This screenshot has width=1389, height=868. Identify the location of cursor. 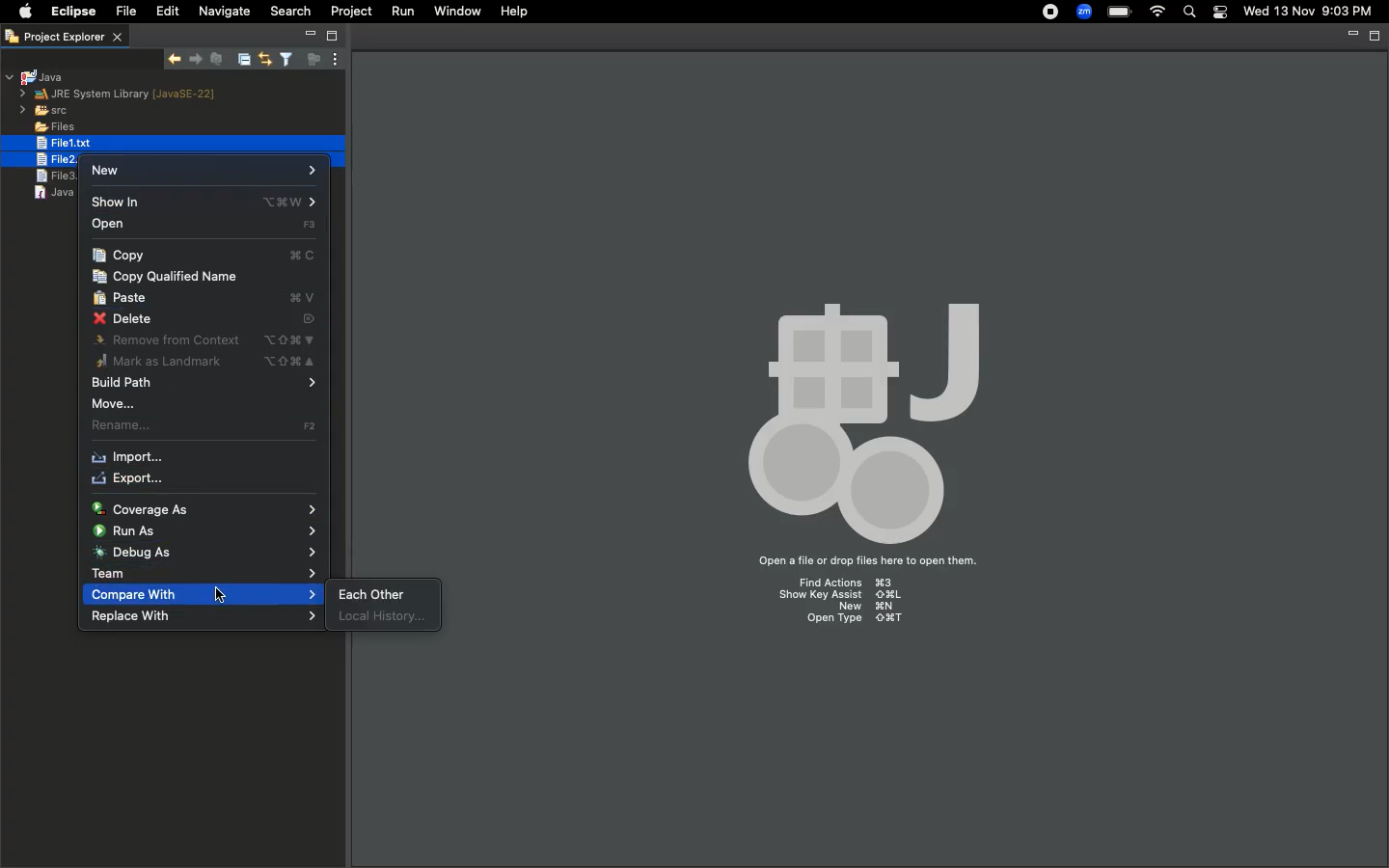
(222, 597).